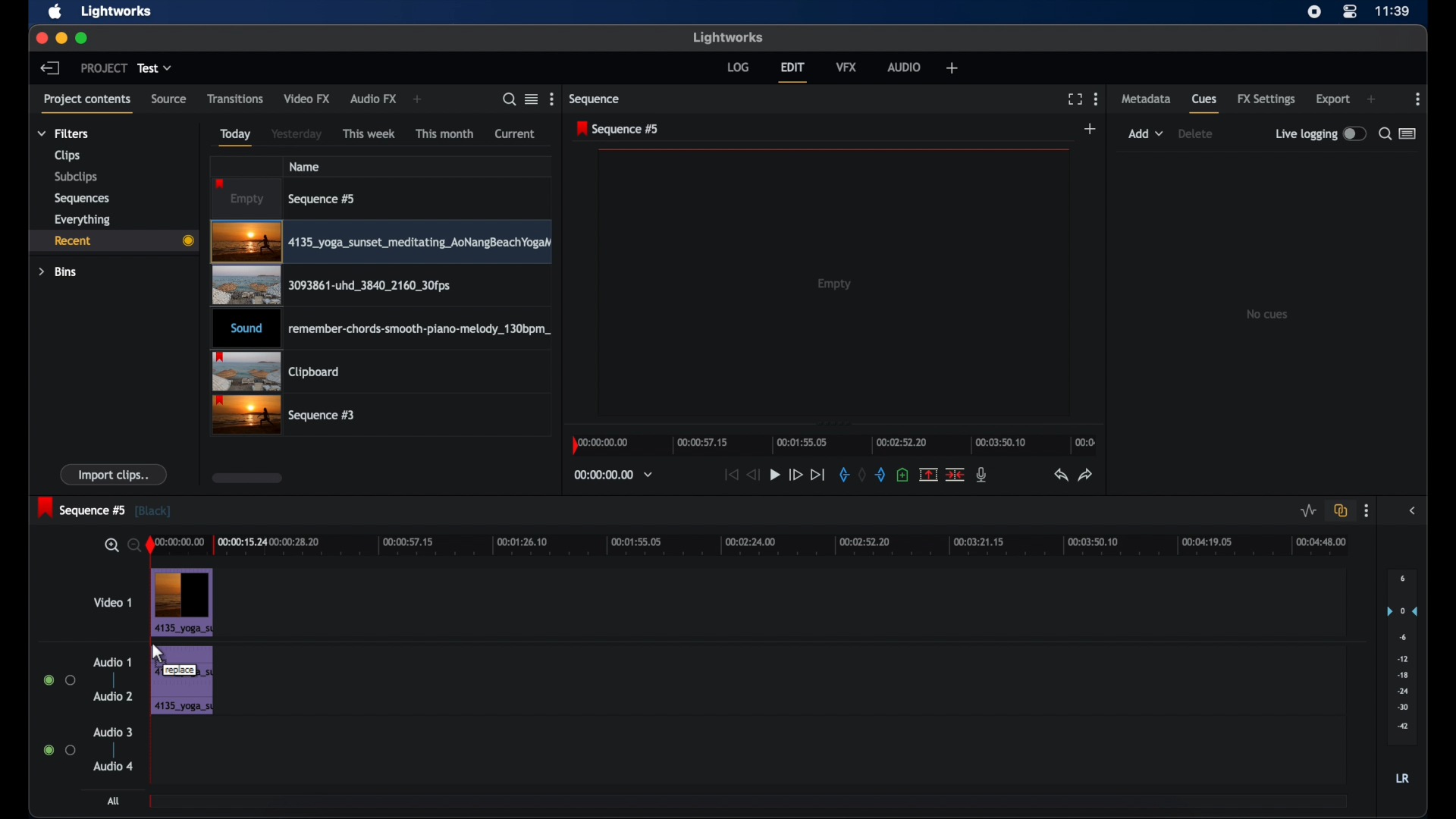  What do you see at coordinates (64, 133) in the screenshot?
I see `filters` at bounding box center [64, 133].